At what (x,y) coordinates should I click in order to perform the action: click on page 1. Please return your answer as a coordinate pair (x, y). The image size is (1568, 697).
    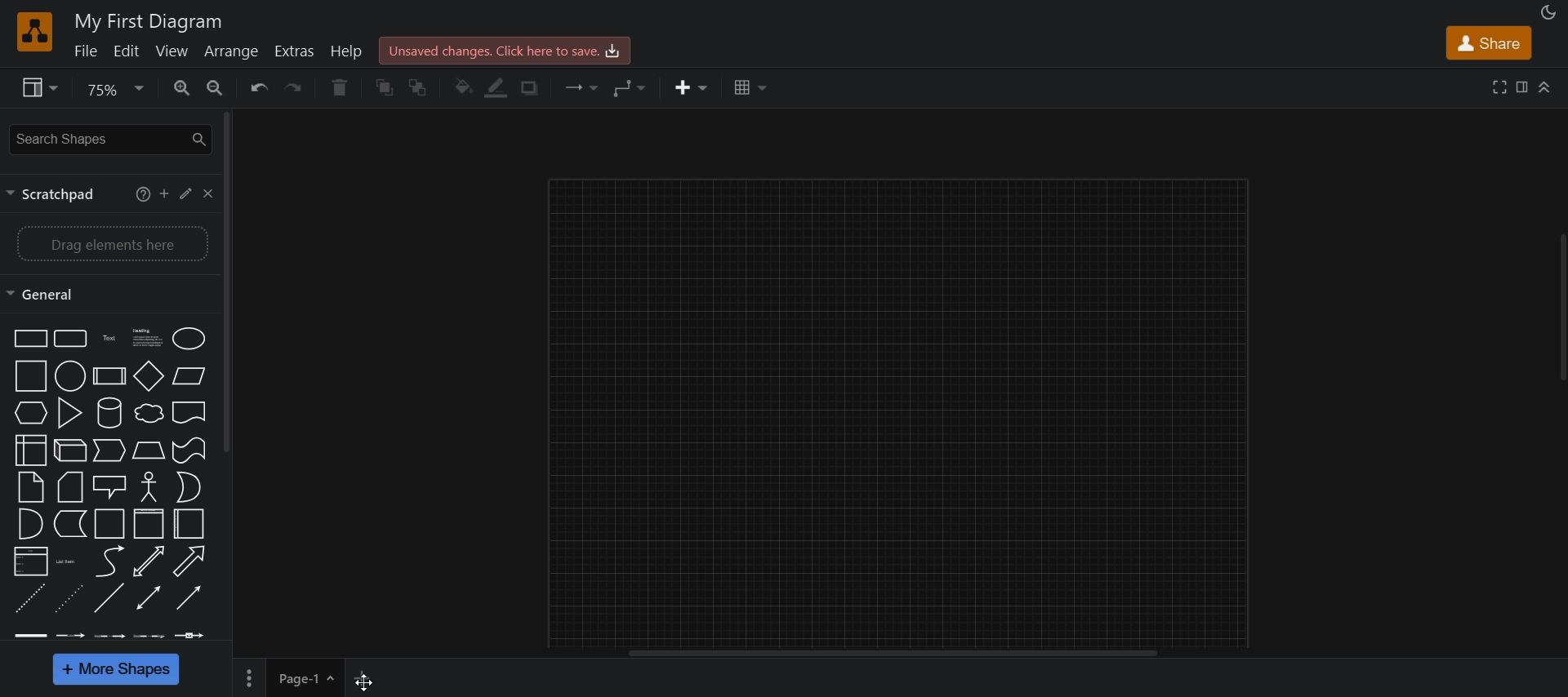
    Looking at the image, I should click on (288, 680).